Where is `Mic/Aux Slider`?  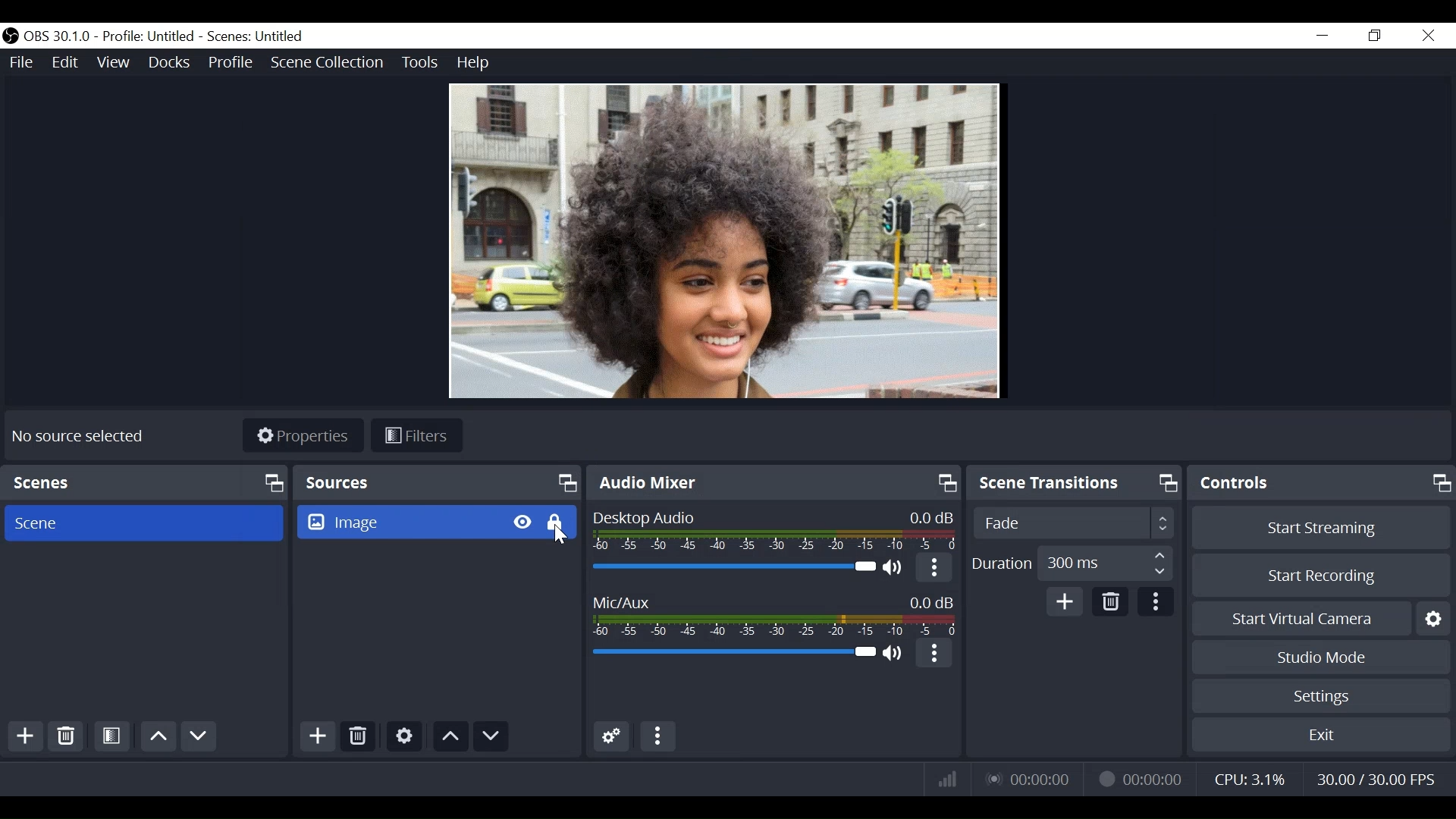
Mic/Aux Slider is located at coordinates (732, 653).